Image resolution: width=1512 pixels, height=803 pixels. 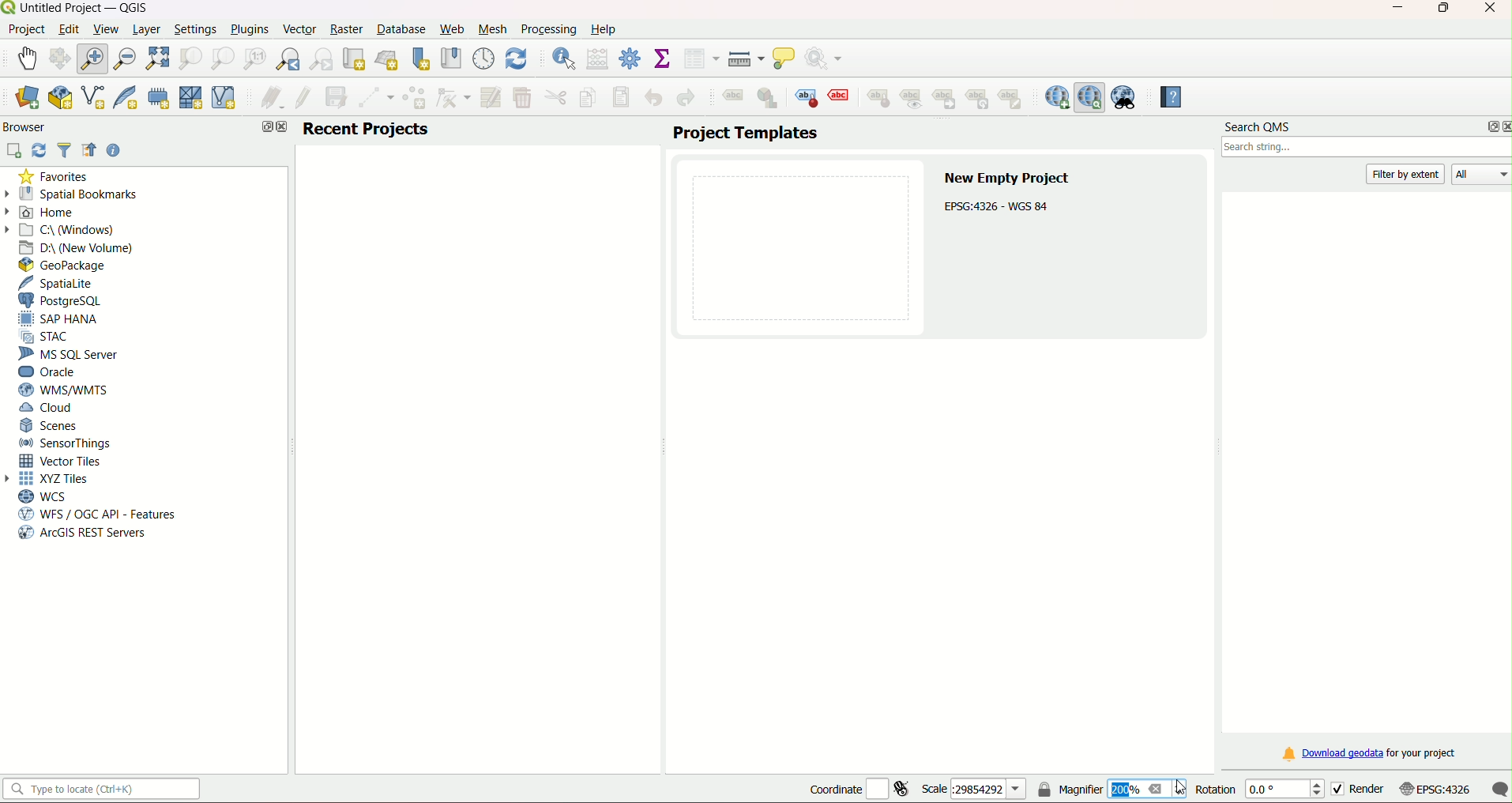 What do you see at coordinates (655, 97) in the screenshot?
I see `undo ` at bounding box center [655, 97].